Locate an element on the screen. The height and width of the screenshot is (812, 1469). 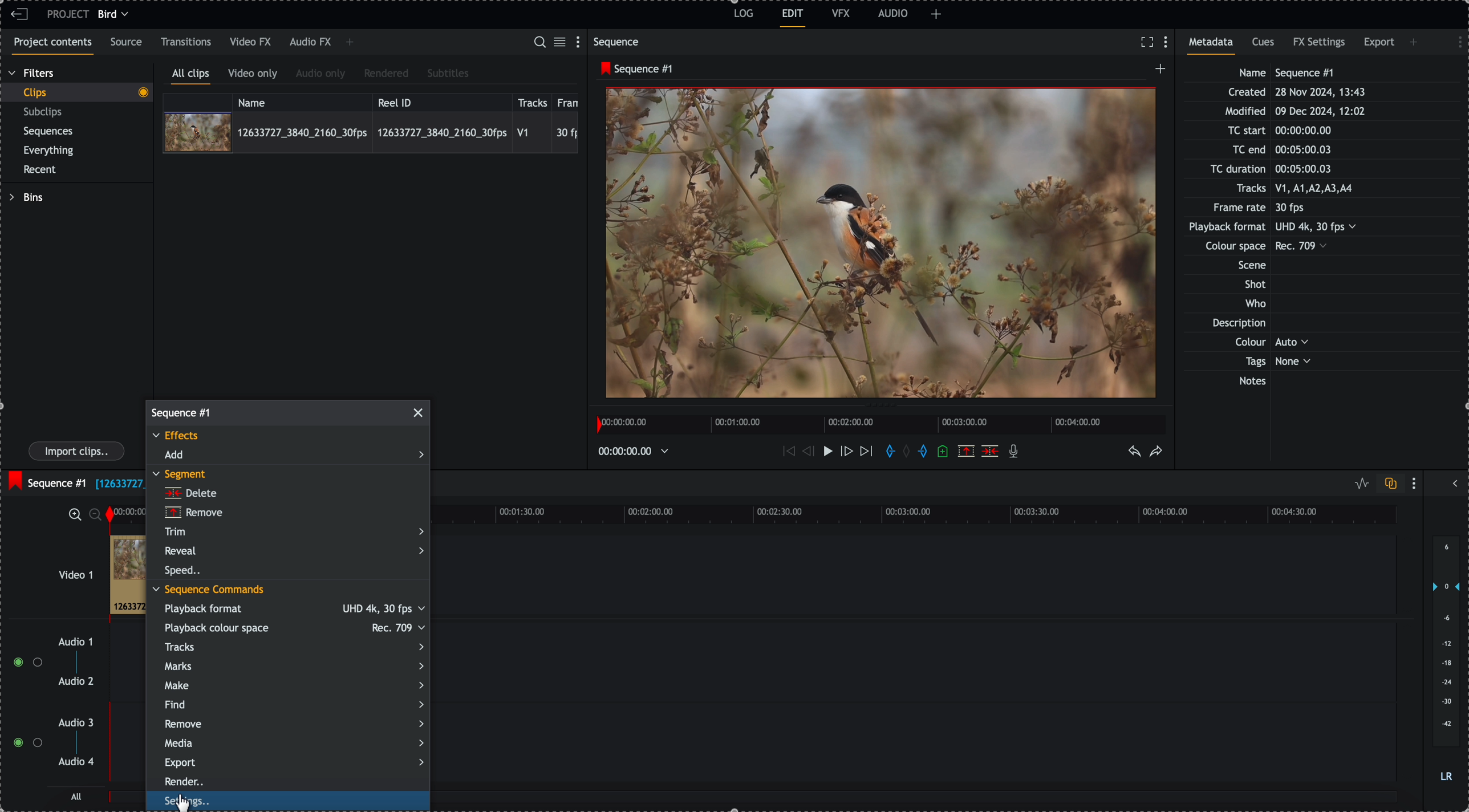
zoom in is located at coordinates (74, 514).